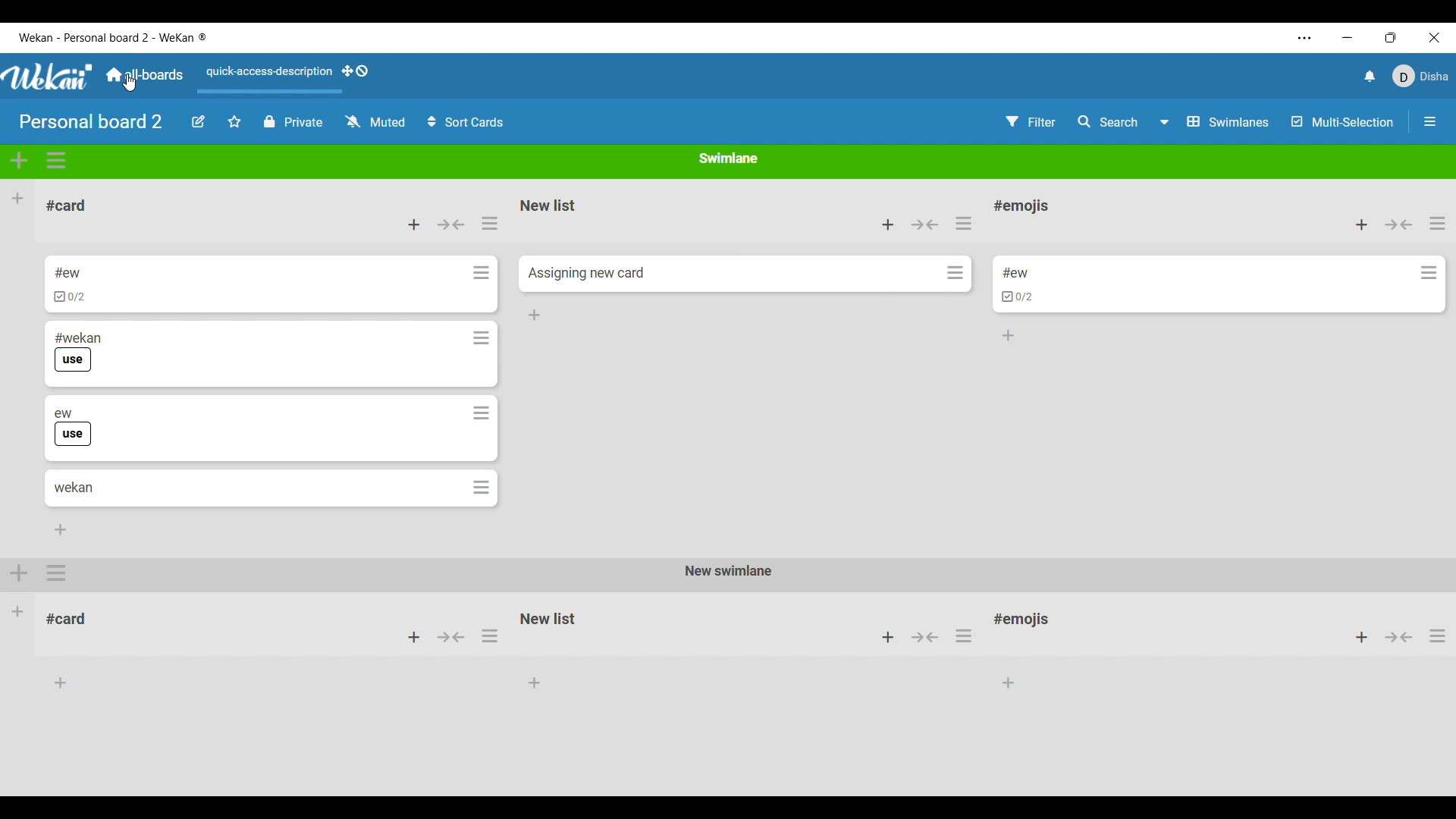  Describe the element at coordinates (1017, 297) in the screenshot. I see `Indicates card has list` at that location.